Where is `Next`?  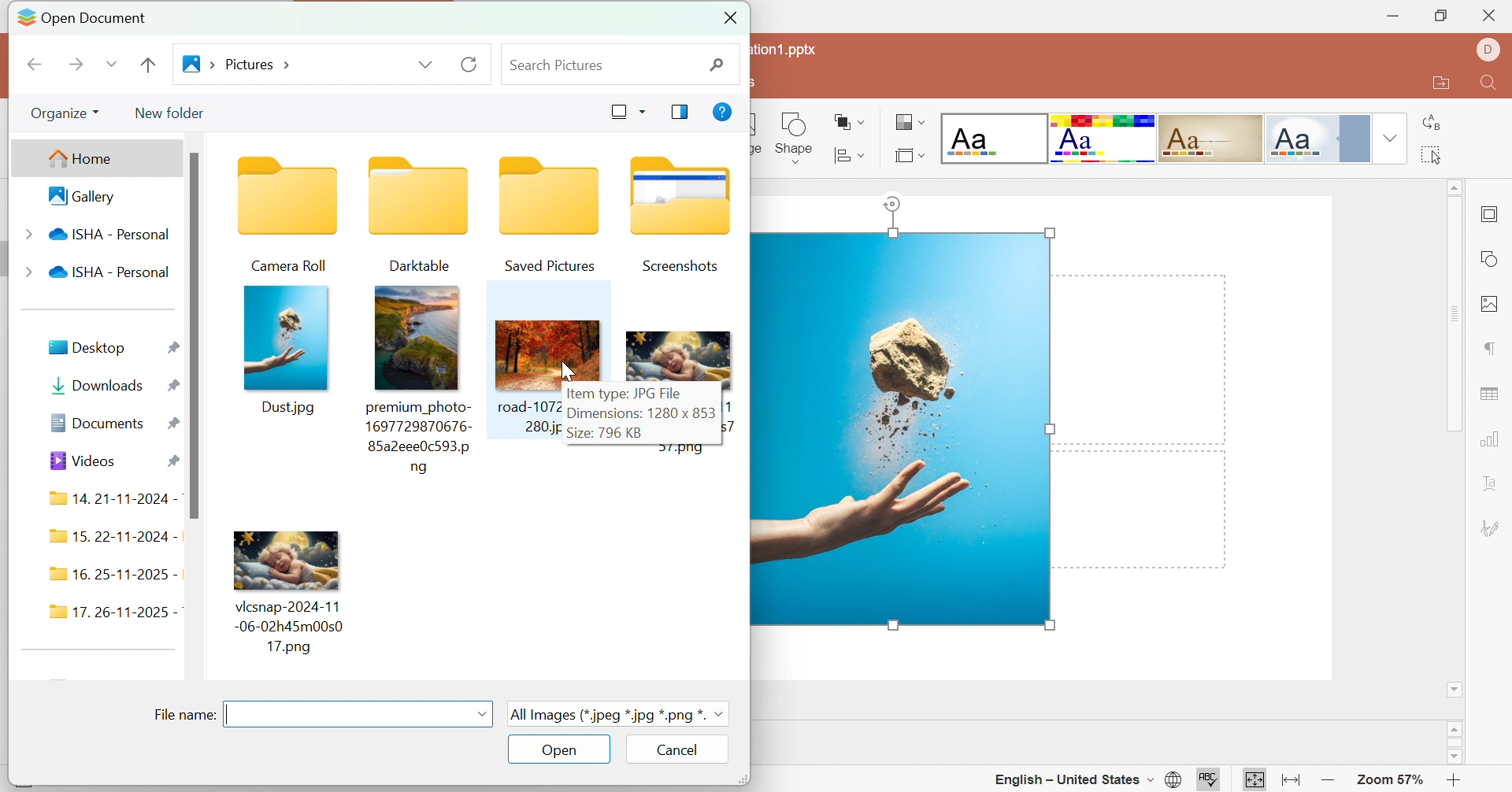
Next is located at coordinates (76, 63).